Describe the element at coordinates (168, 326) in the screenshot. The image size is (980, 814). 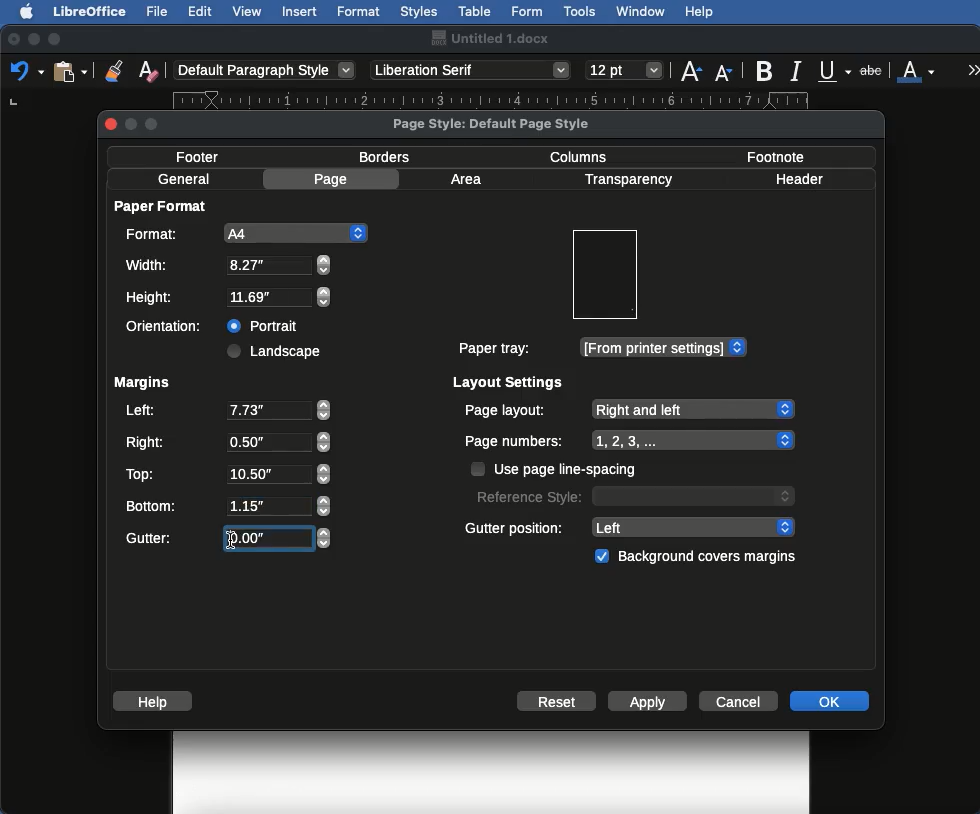
I see `Orientation` at that location.